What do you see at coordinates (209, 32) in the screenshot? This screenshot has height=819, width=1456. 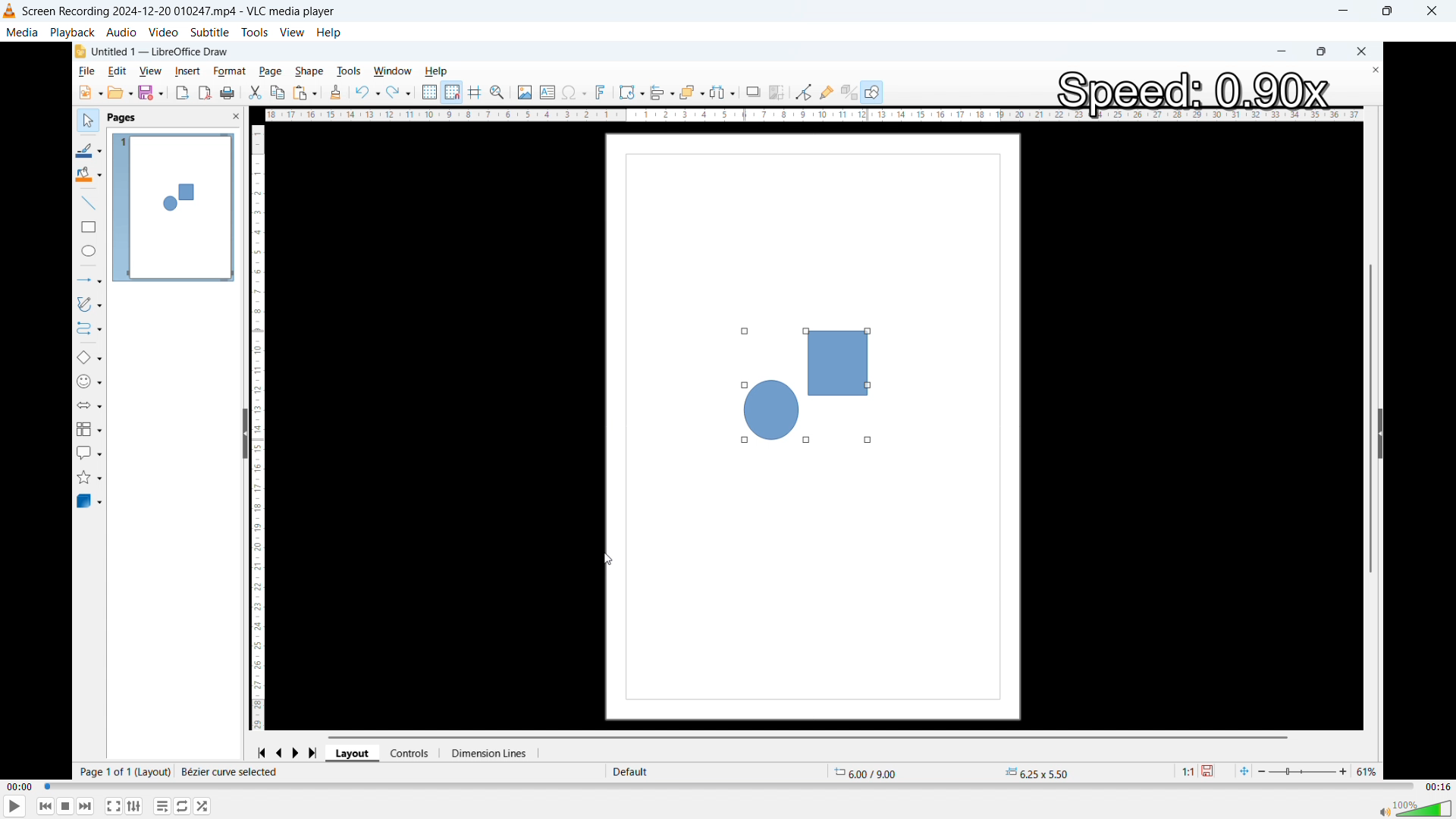 I see `Subtitle ` at bounding box center [209, 32].